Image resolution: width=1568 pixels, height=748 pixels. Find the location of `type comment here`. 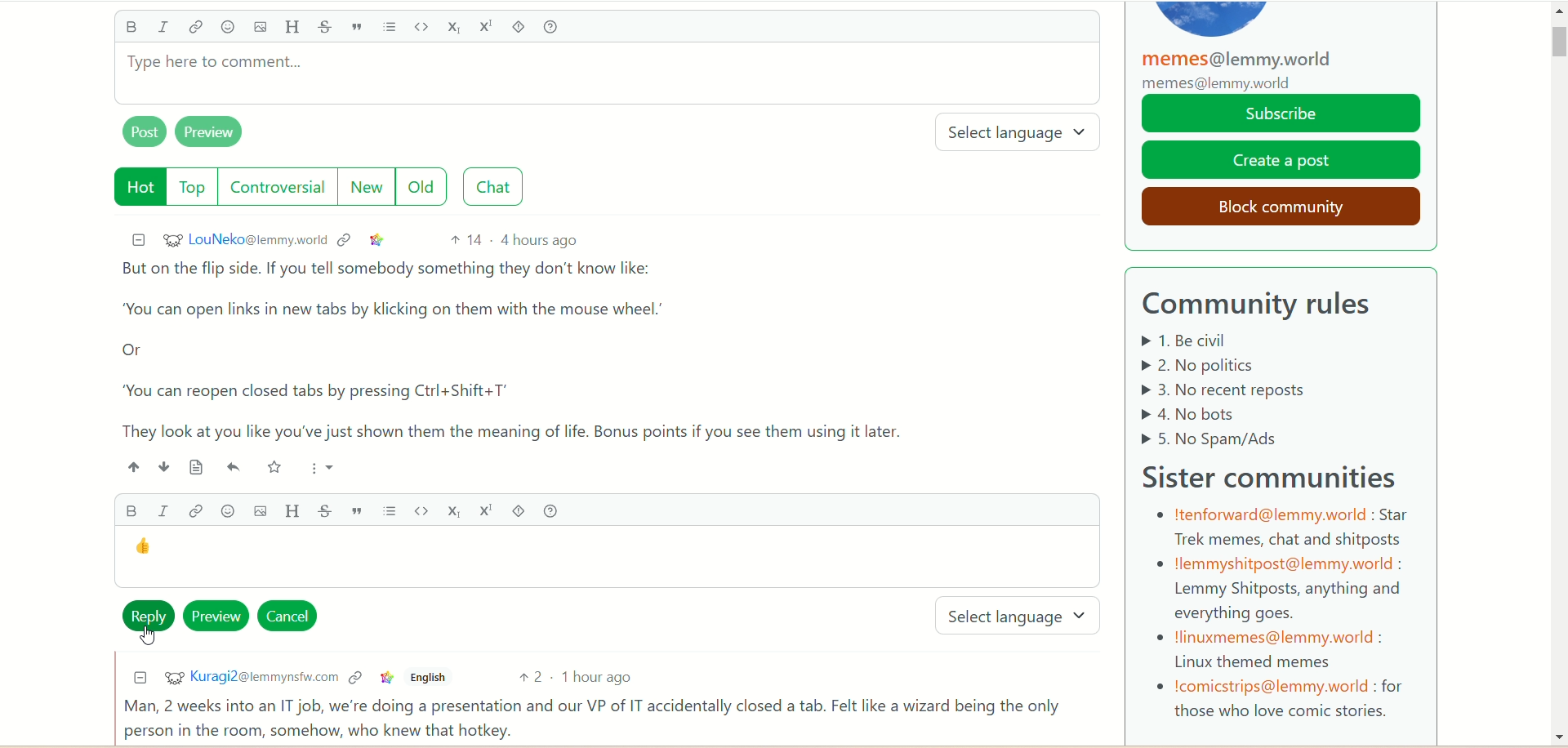

type comment here is located at coordinates (605, 80).